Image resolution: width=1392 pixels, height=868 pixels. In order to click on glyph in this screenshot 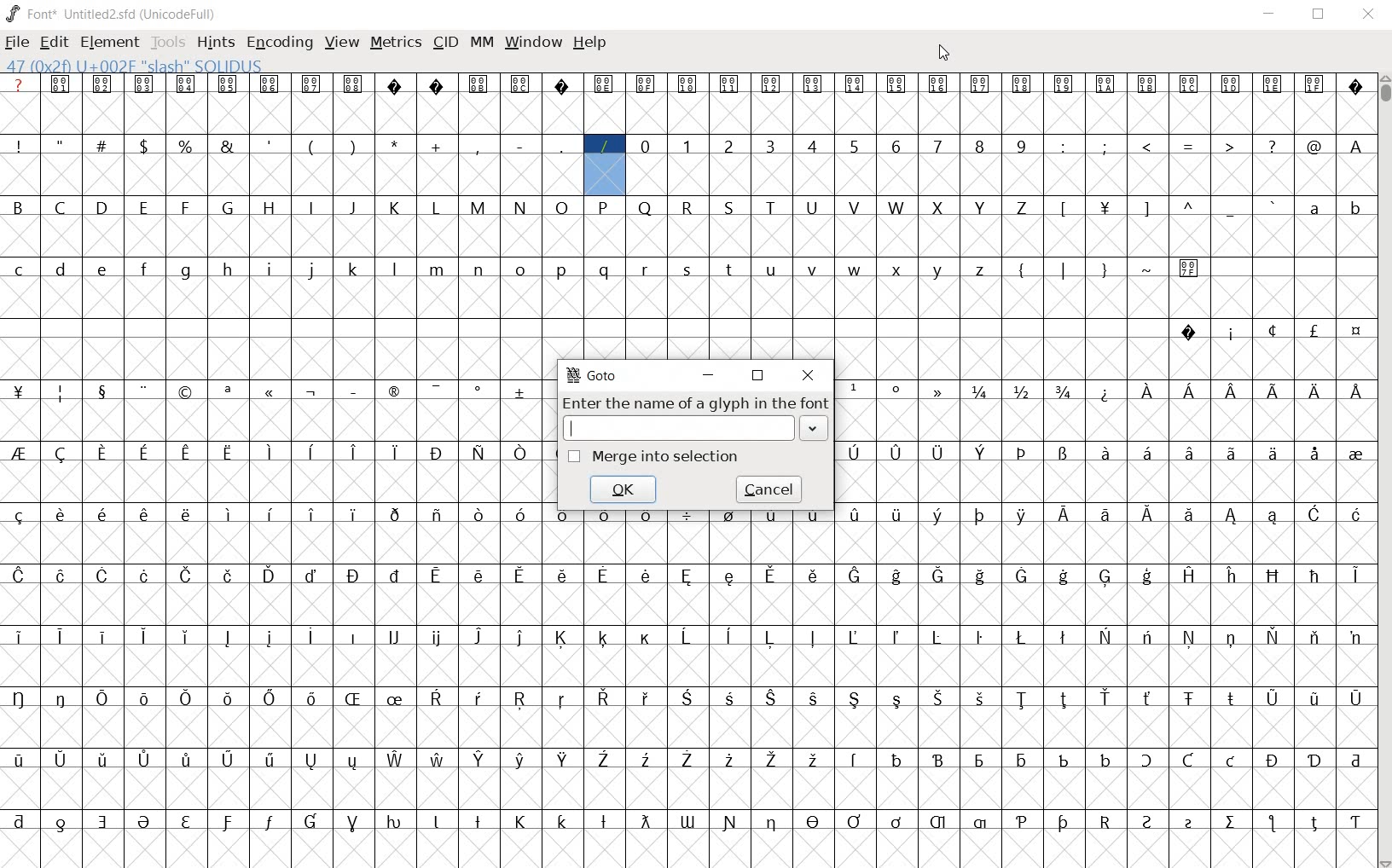, I will do `click(814, 821)`.